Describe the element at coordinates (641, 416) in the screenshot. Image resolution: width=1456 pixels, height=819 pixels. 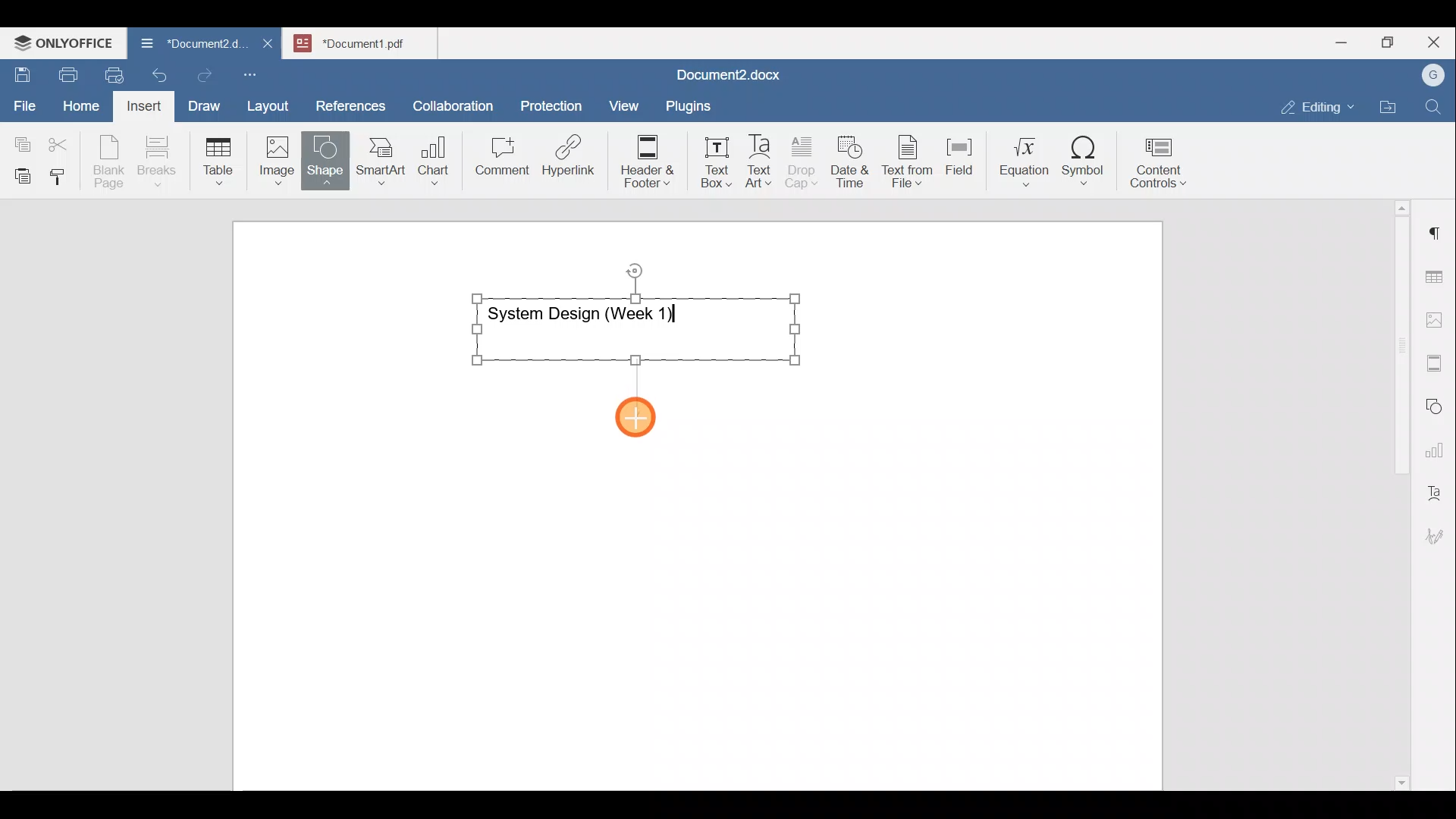
I see `Cursor` at that location.